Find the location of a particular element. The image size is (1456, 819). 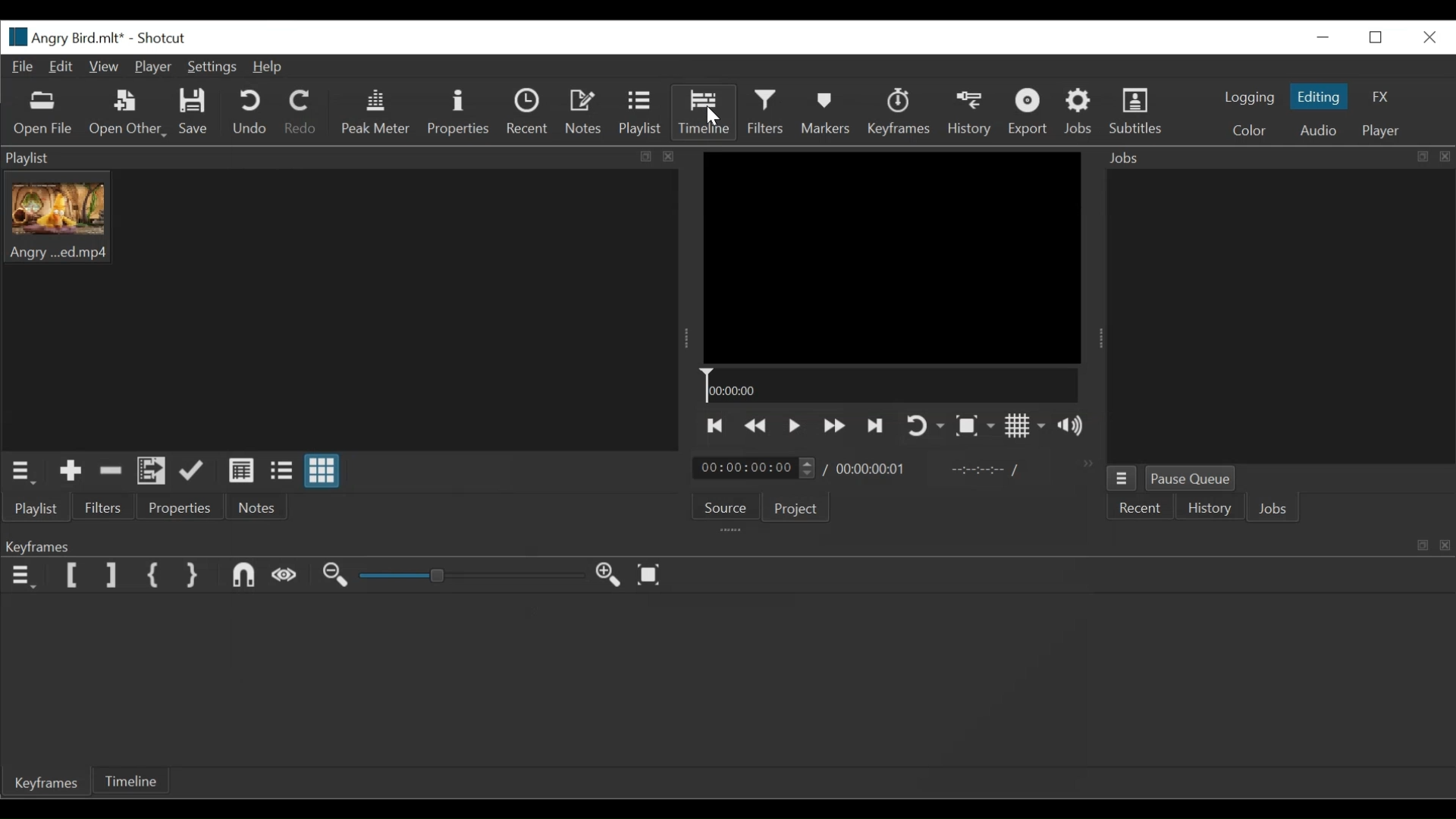

Set Filter First is located at coordinates (74, 576).